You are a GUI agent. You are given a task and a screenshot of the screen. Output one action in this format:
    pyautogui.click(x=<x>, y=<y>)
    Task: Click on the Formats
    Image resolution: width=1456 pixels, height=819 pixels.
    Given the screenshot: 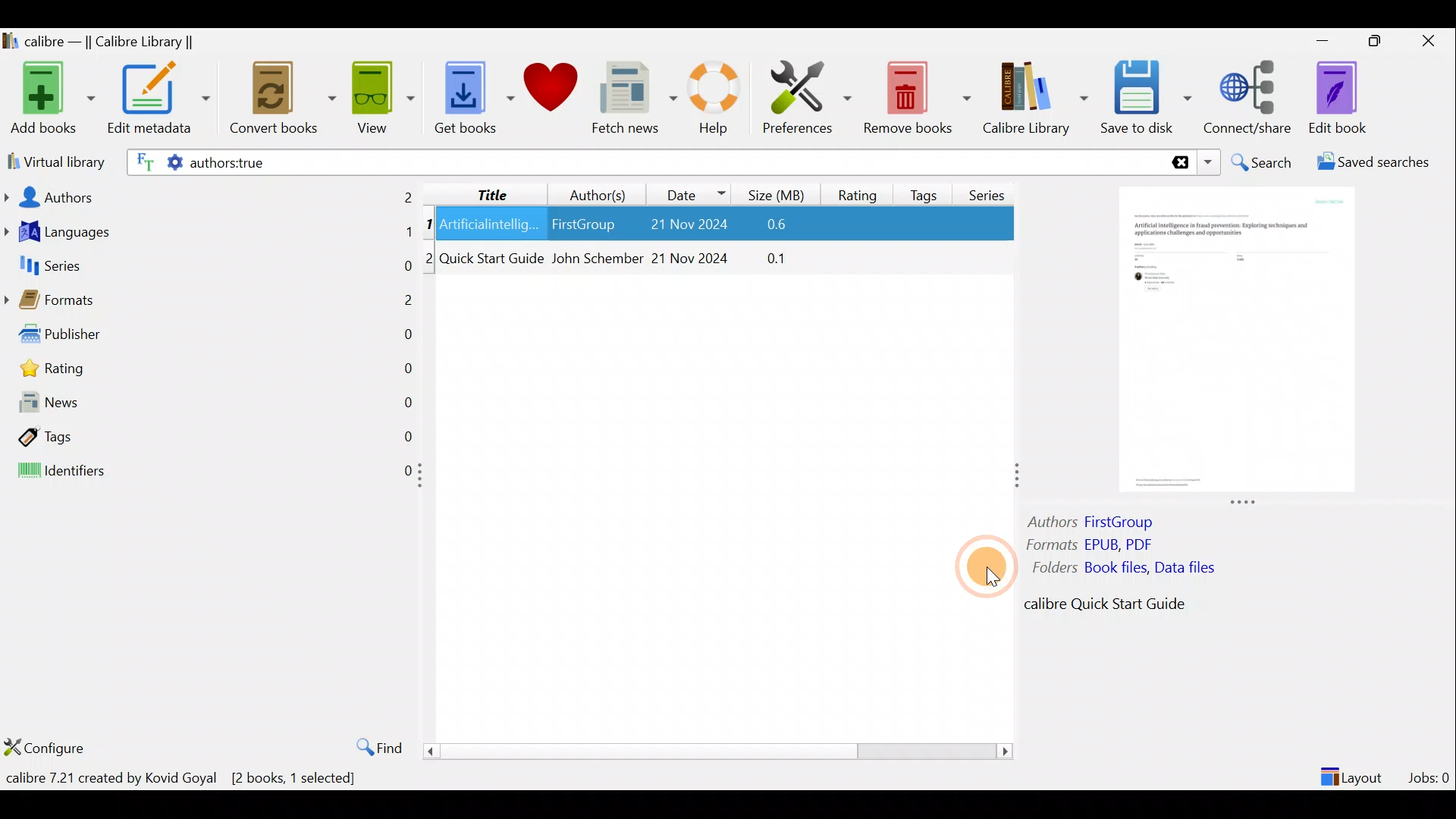 What is the action you would take?
    pyautogui.click(x=209, y=304)
    